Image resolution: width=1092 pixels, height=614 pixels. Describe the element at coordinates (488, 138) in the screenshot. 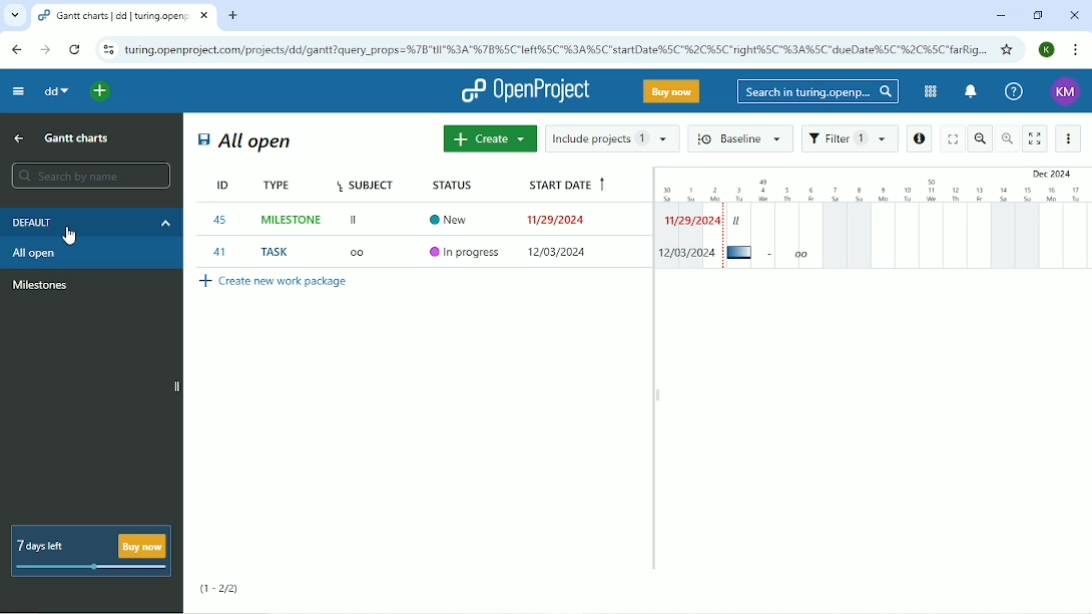

I see `Create` at that location.